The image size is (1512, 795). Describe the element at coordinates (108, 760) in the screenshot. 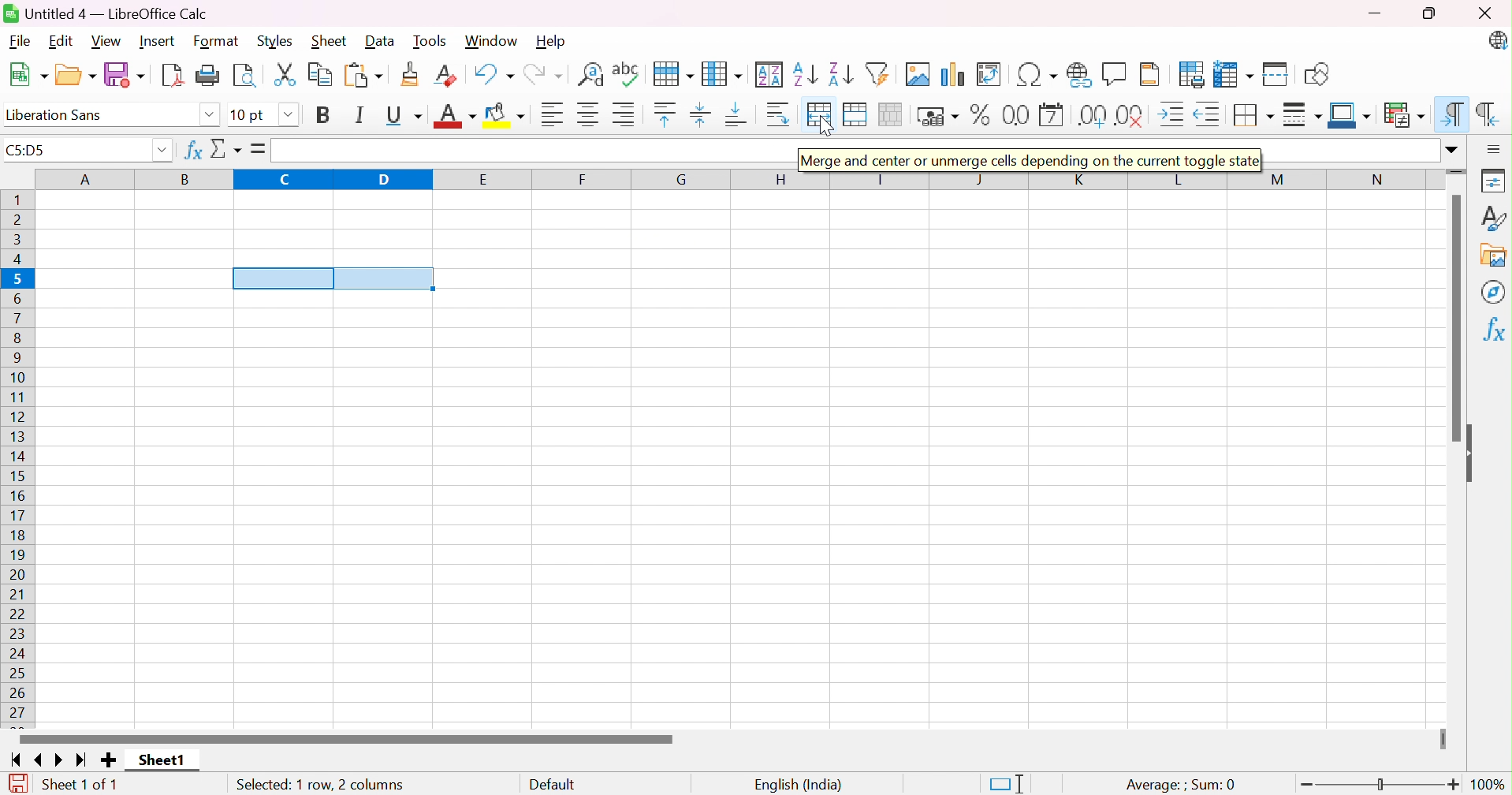

I see `Add new sheet` at that location.